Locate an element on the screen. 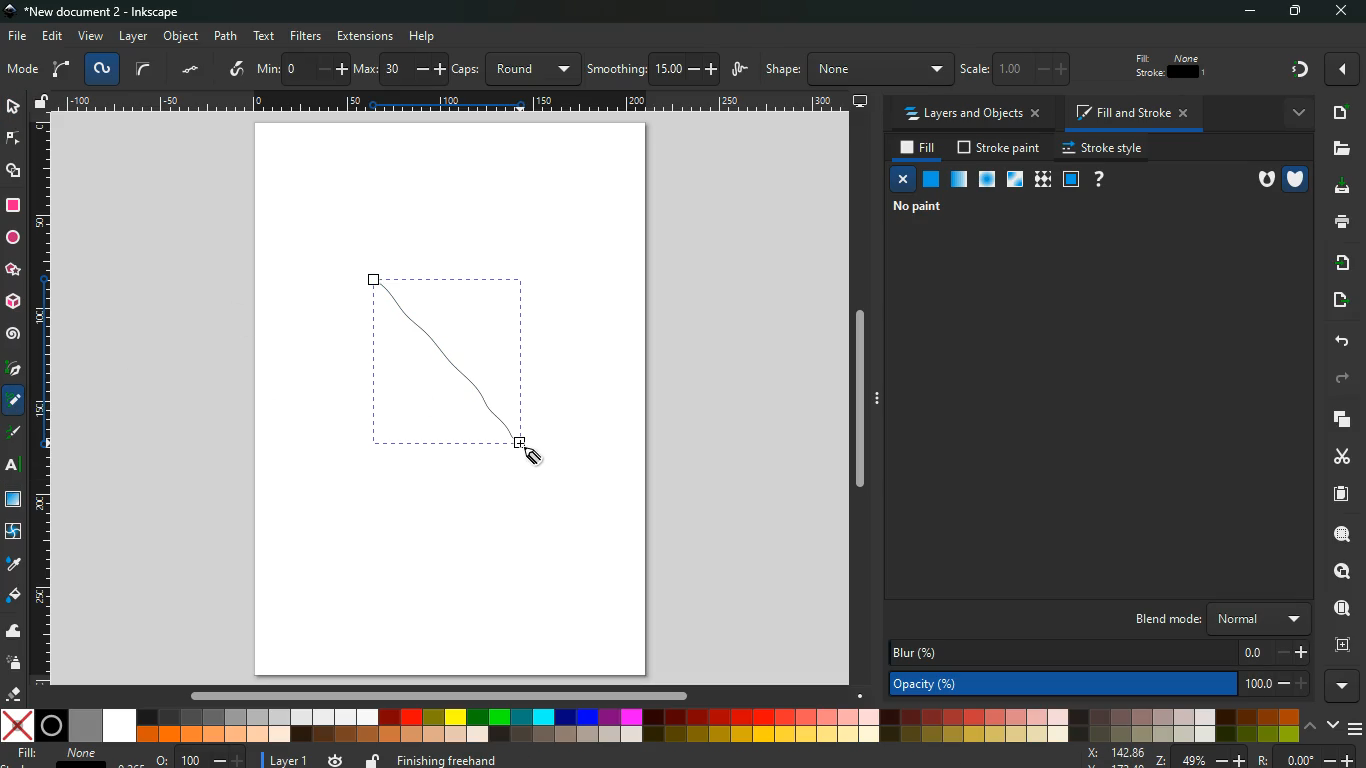  no objects is located at coordinates (941, 208).